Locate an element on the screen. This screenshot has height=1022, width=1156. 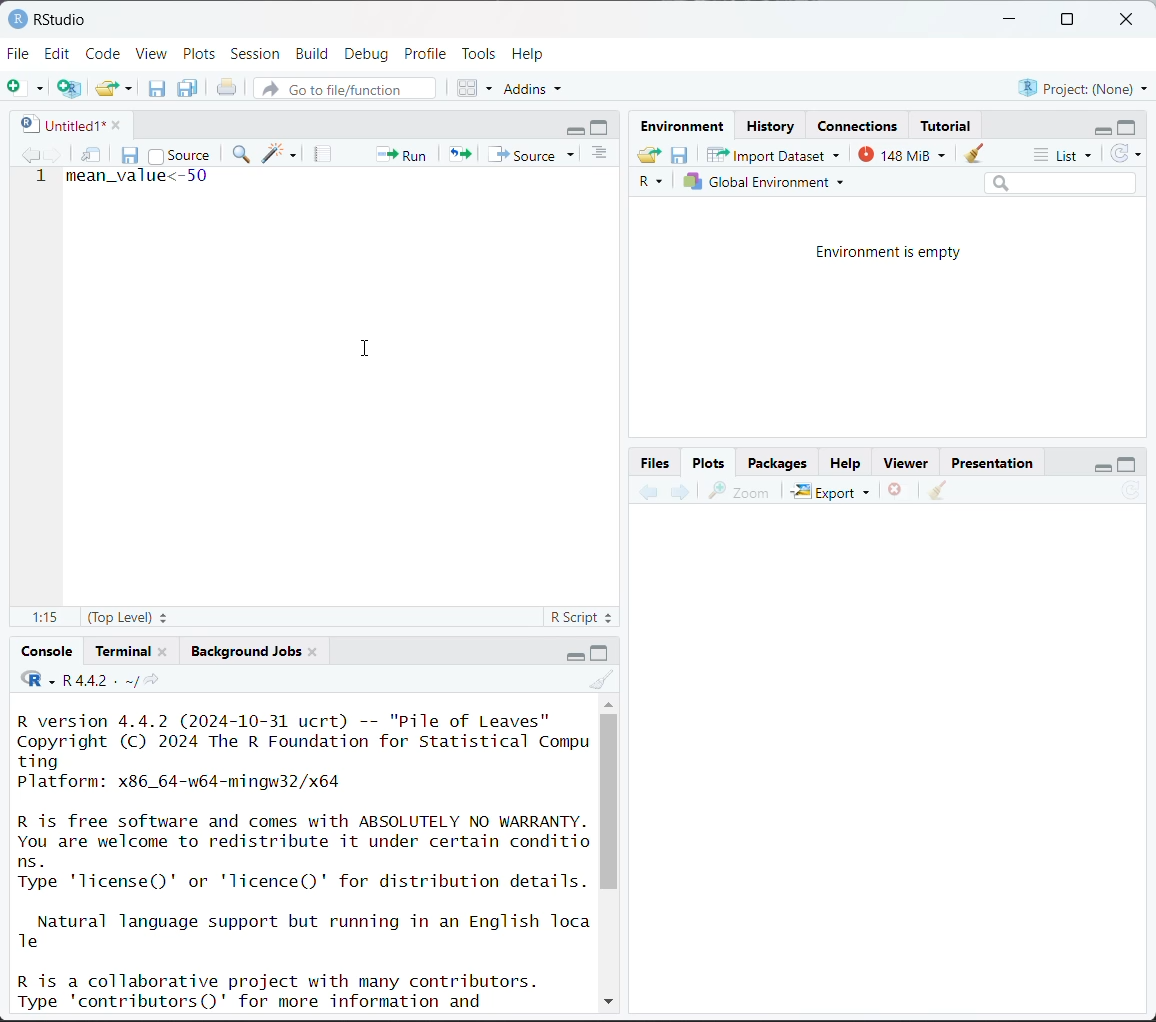
close is located at coordinates (111, 123).